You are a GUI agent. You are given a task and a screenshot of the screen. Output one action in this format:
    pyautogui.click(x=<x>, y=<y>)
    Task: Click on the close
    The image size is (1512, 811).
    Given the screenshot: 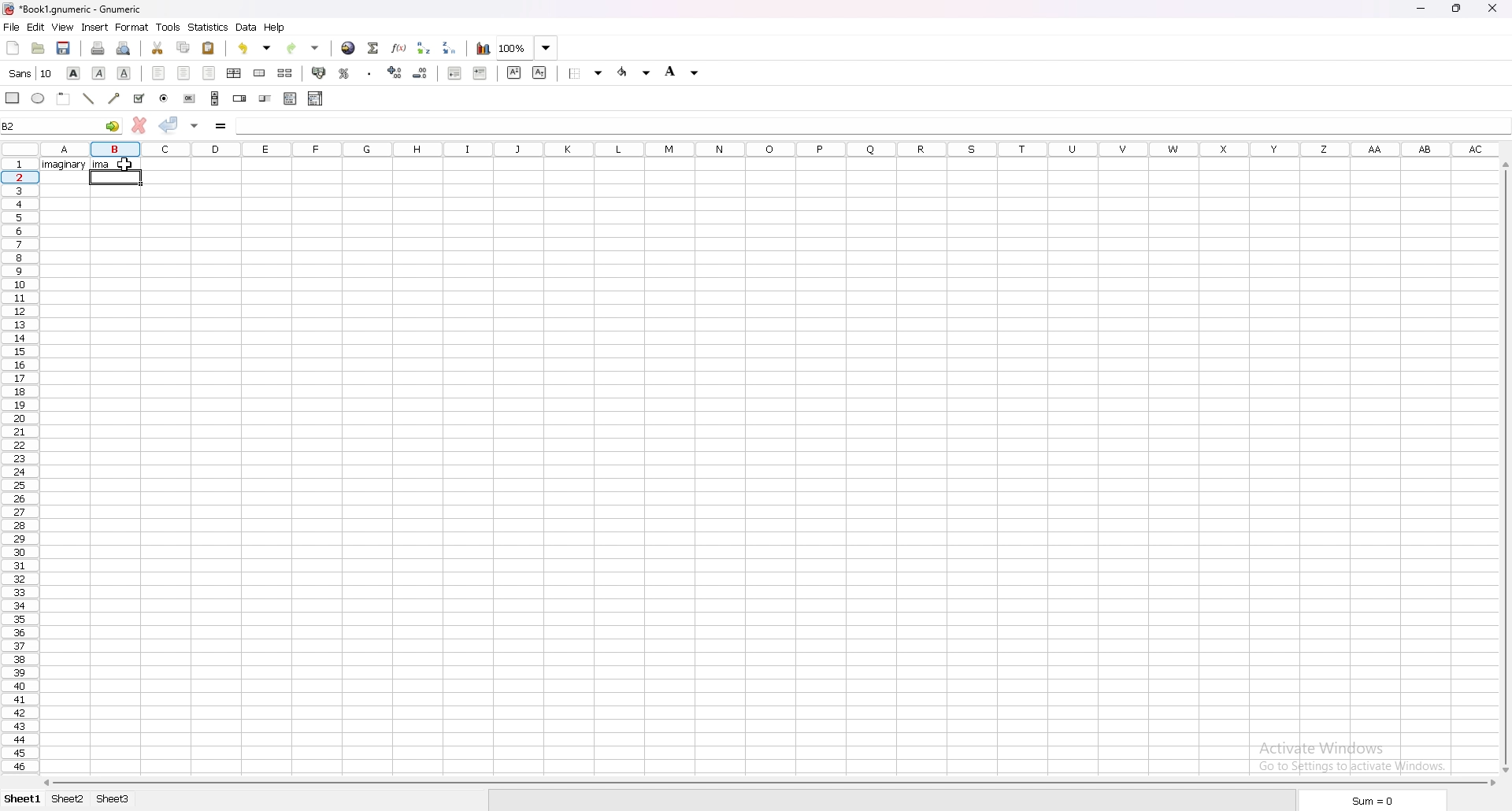 What is the action you would take?
    pyautogui.click(x=1493, y=9)
    